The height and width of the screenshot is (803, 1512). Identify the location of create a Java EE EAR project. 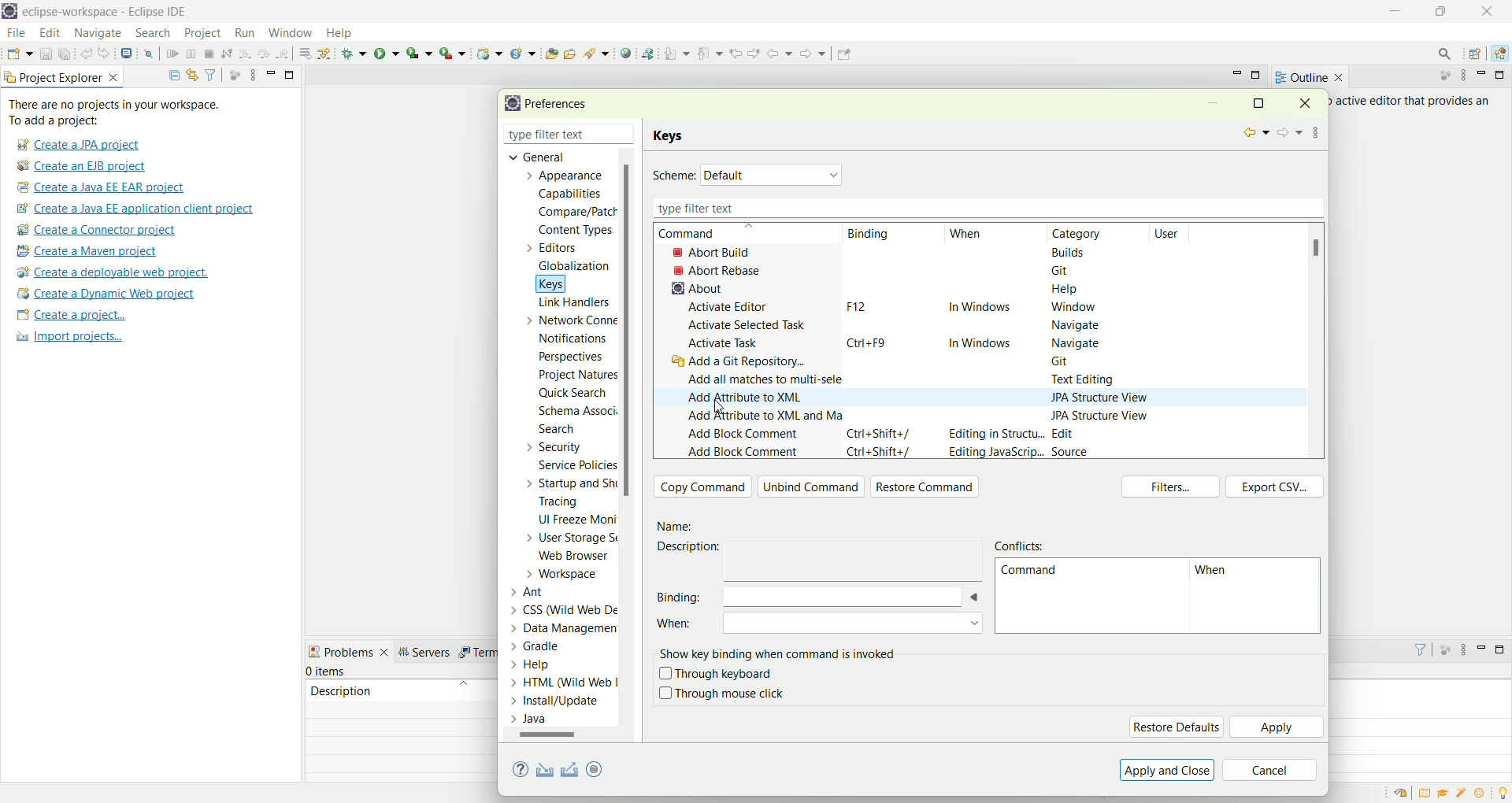
(102, 187).